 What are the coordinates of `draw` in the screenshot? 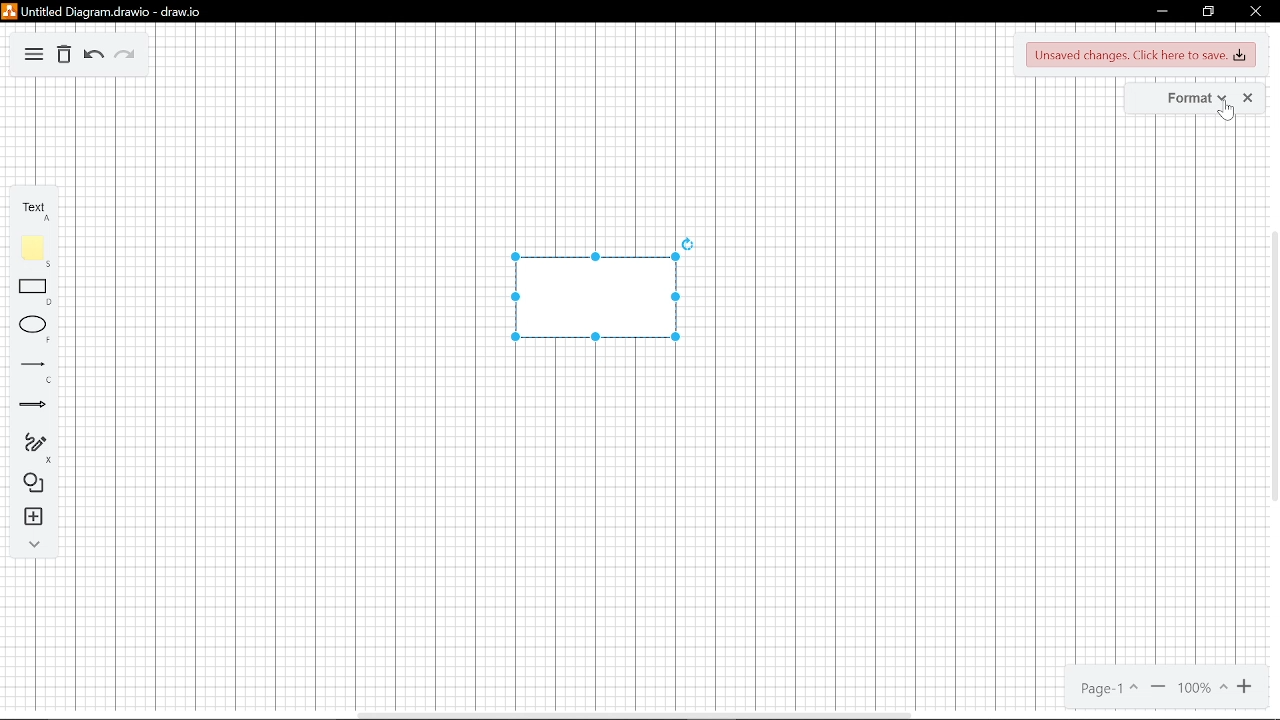 It's located at (34, 444).